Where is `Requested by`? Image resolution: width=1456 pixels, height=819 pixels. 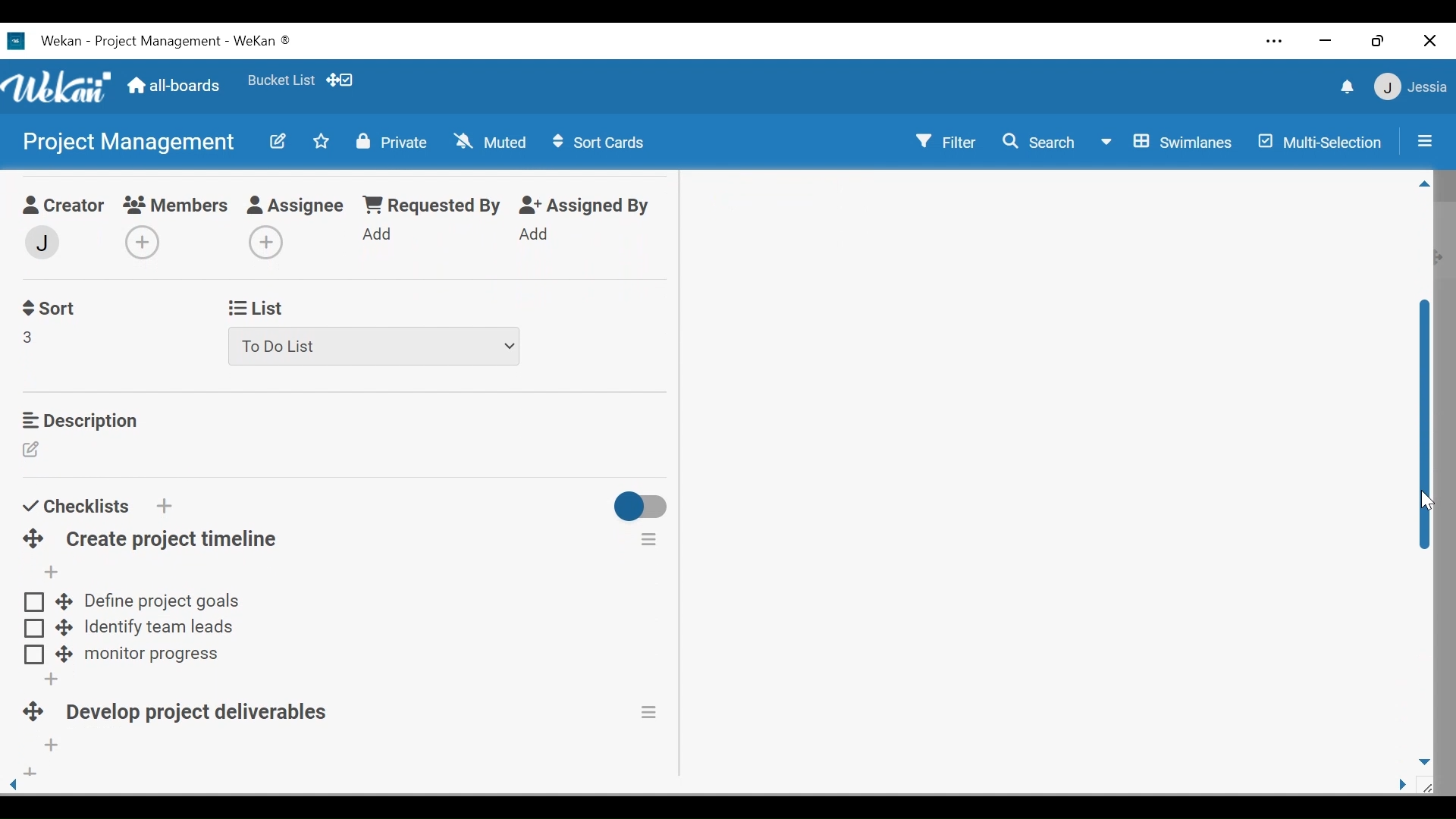
Requested by is located at coordinates (430, 206).